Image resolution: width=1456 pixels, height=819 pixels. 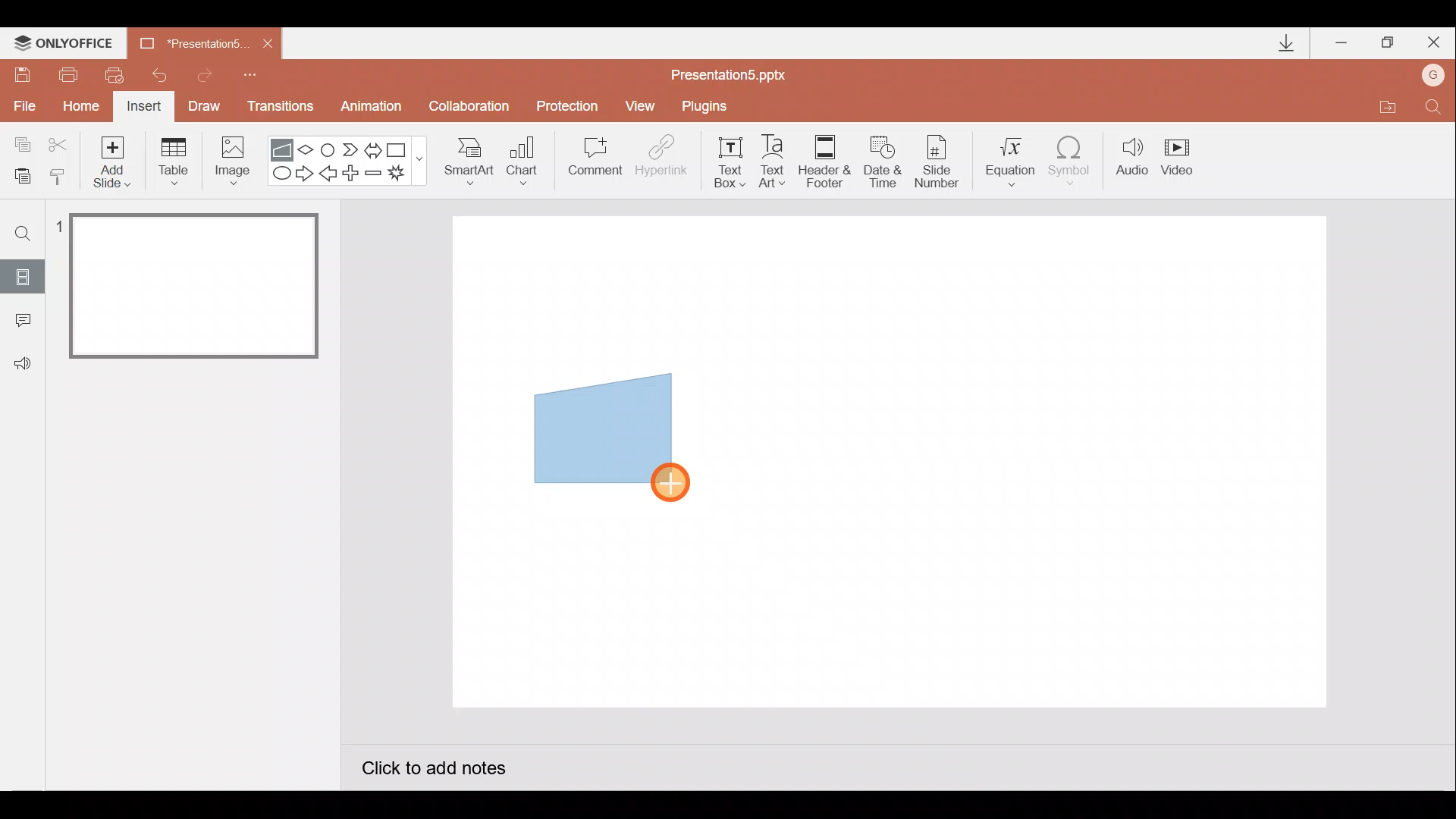 What do you see at coordinates (18, 174) in the screenshot?
I see `Paste` at bounding box center [18, 174].